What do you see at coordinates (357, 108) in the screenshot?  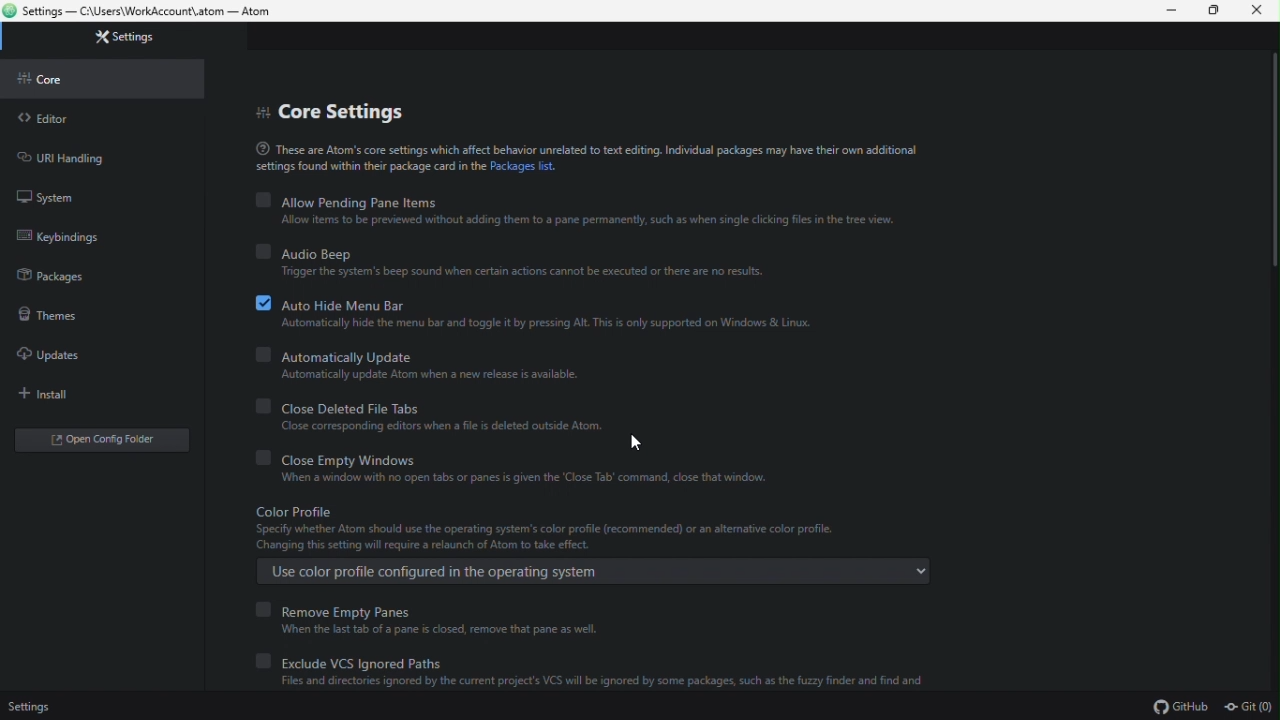 I see `core settings` at bounding box center [357, 108].